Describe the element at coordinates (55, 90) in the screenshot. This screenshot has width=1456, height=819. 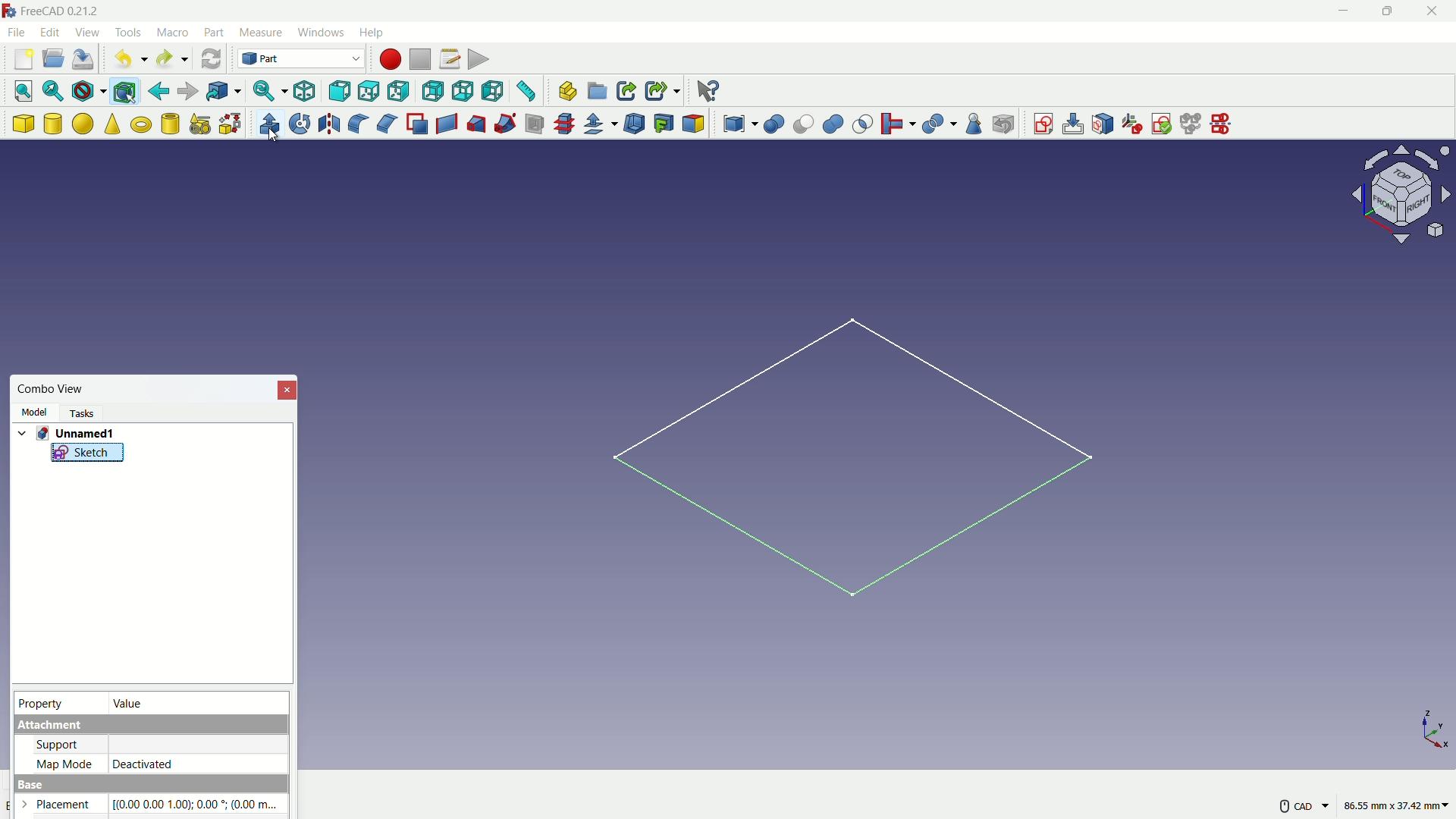
I see `fit selection` at that location.